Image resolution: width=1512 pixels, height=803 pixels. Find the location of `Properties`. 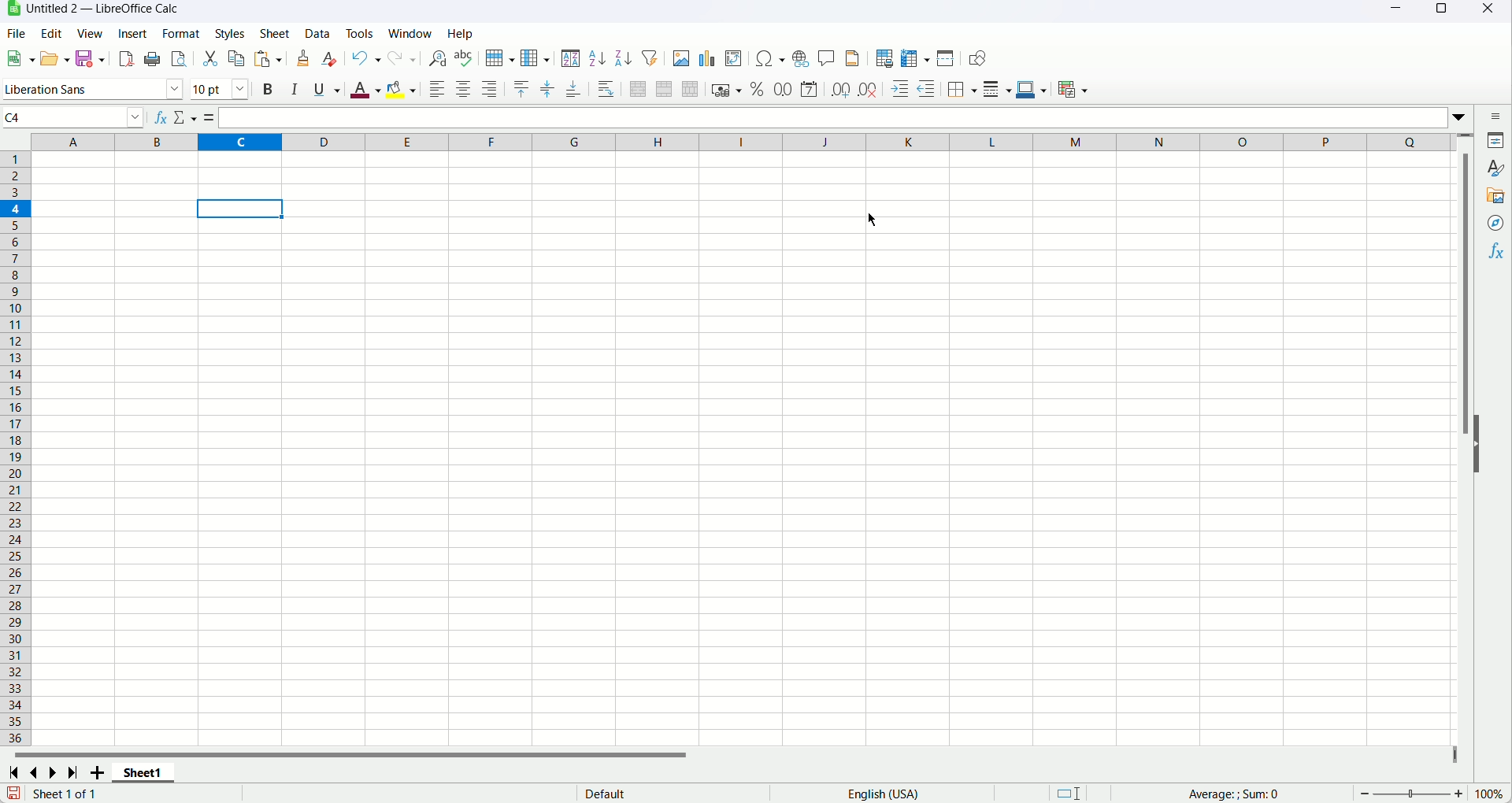

Properties is located at coordinates (1495, 140).